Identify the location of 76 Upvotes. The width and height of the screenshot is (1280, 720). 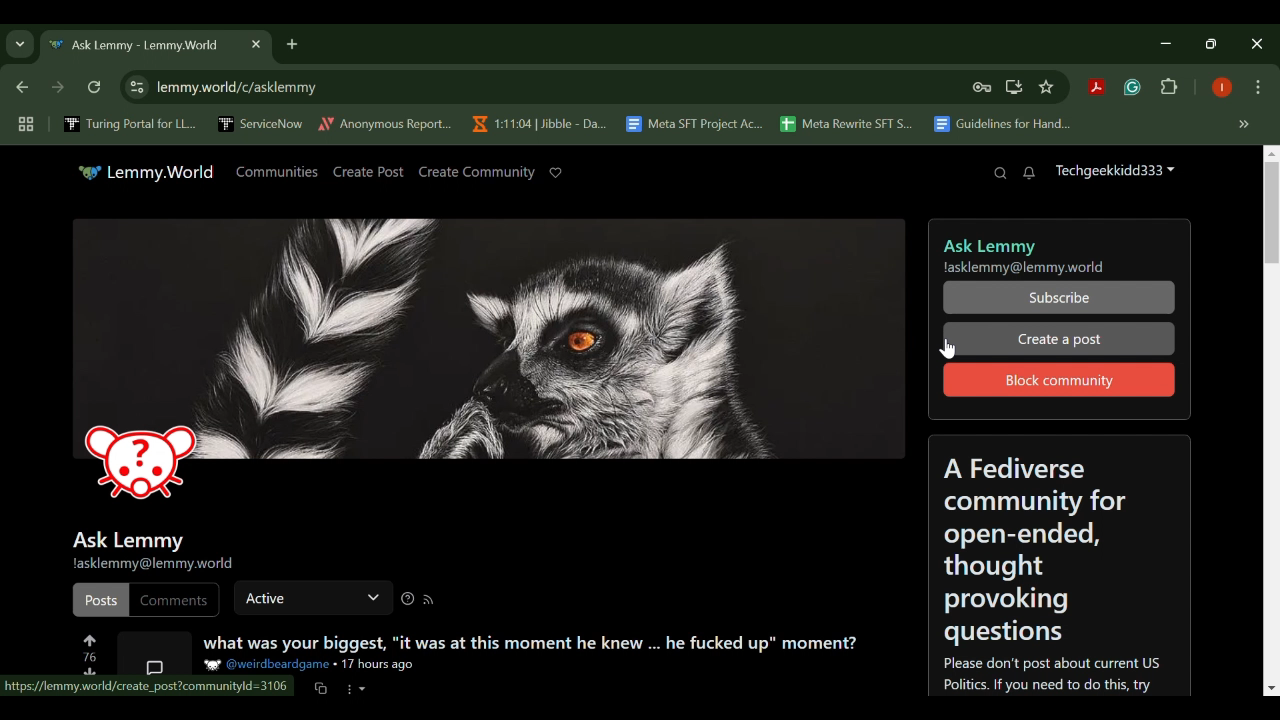
(90, 648).